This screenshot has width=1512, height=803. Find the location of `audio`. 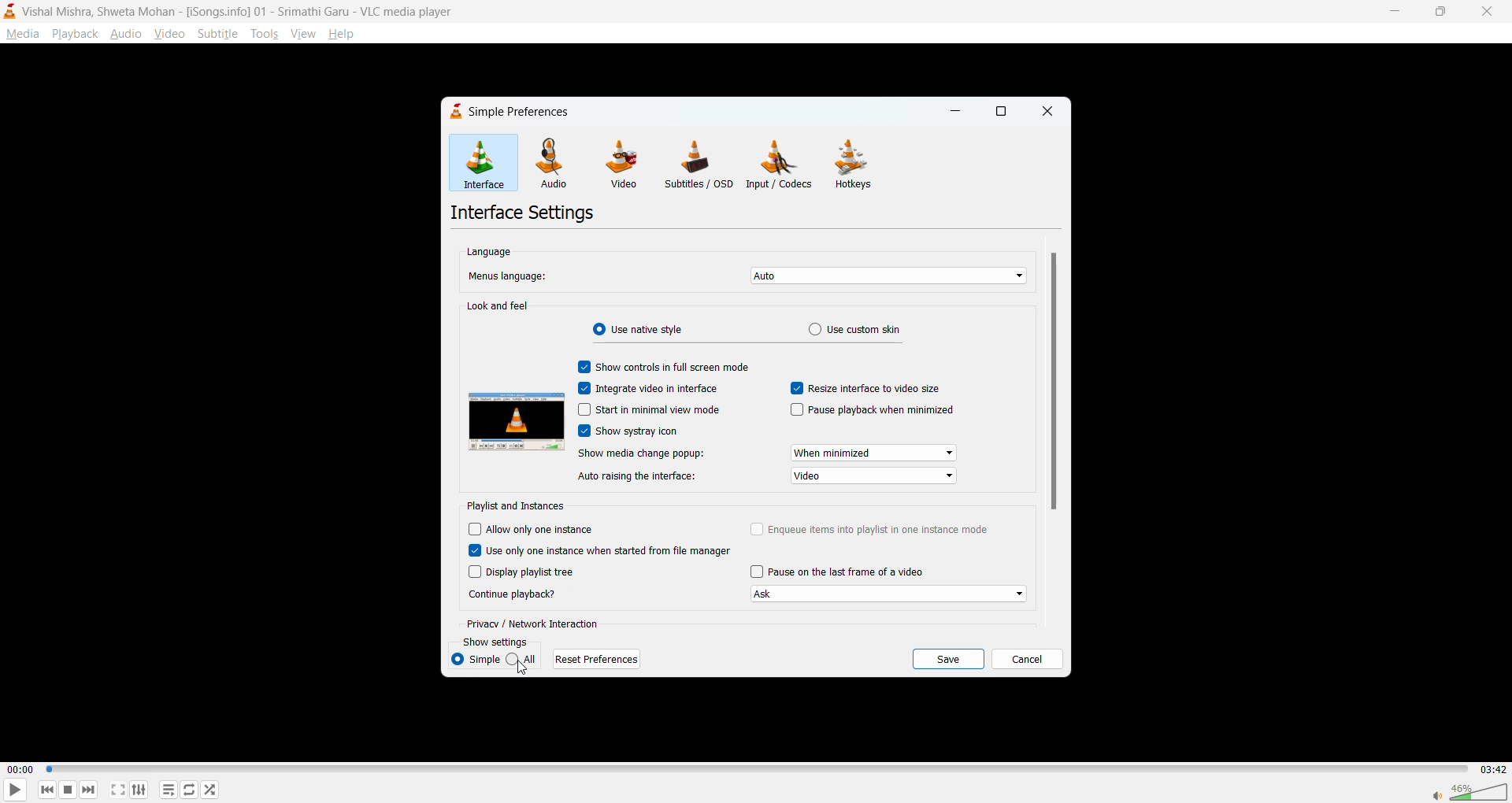

audio is located at coordinates (562, 165).